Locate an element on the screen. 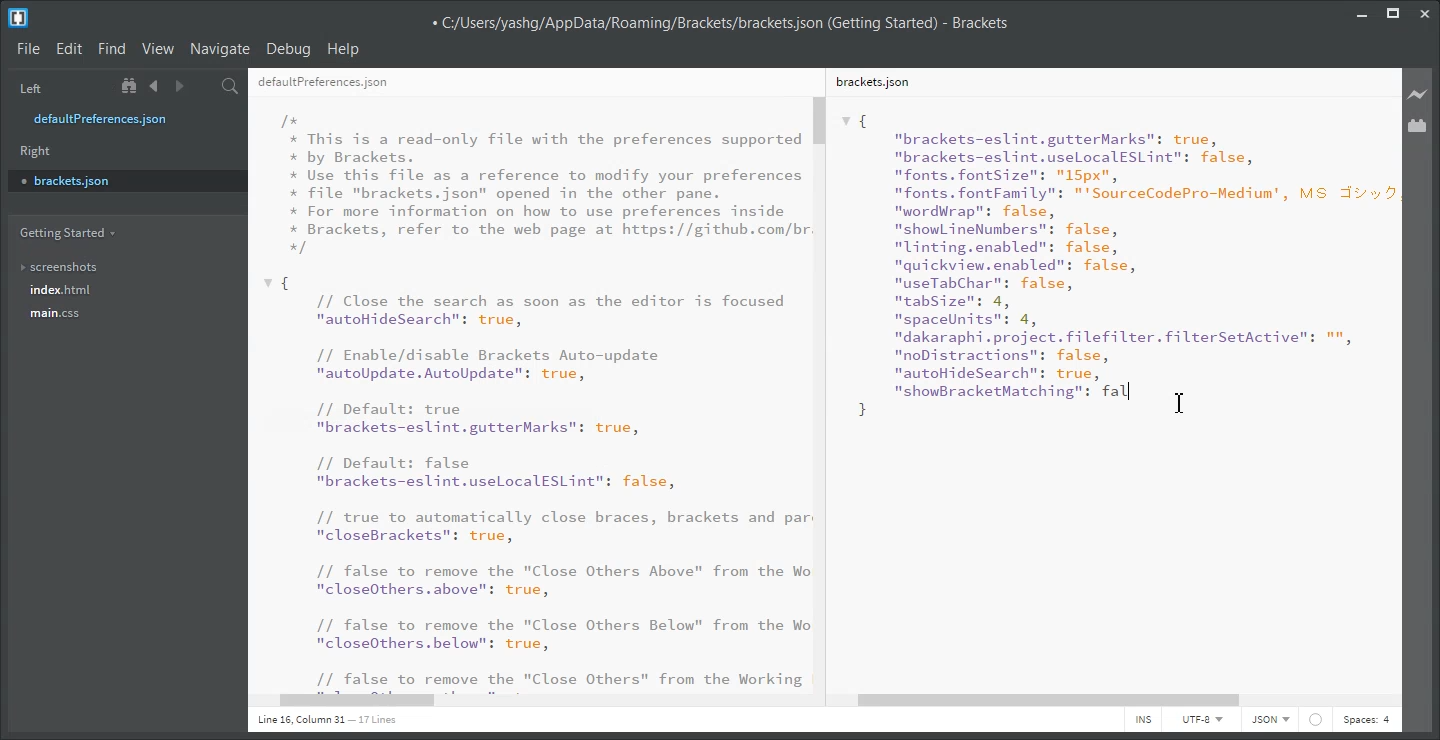 This screenshot has width=1440, height=740. Extension Manager is located at coordinates (1418, 125).